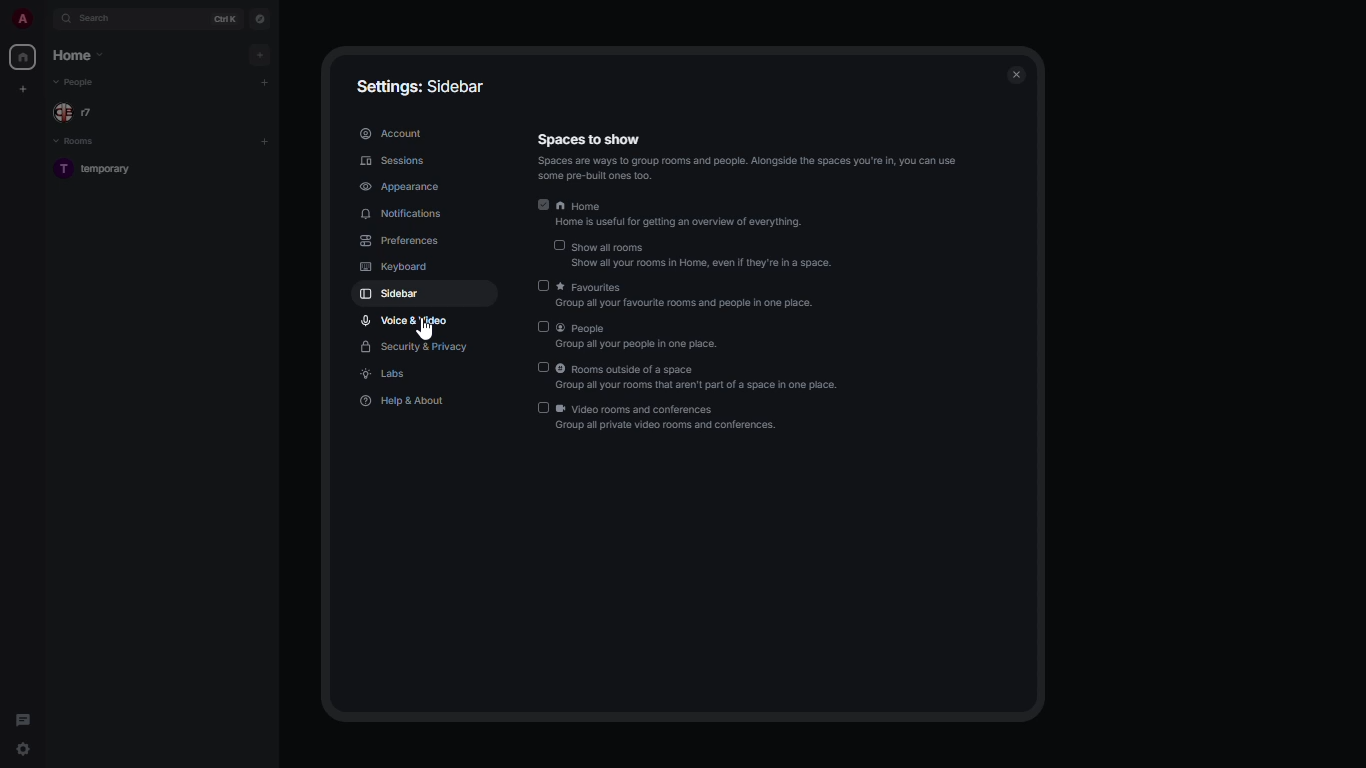 This screenshot has width=1366, height=768. Describe the element at coordinates (267, 82) in the screenshot. I see `add` at that location.